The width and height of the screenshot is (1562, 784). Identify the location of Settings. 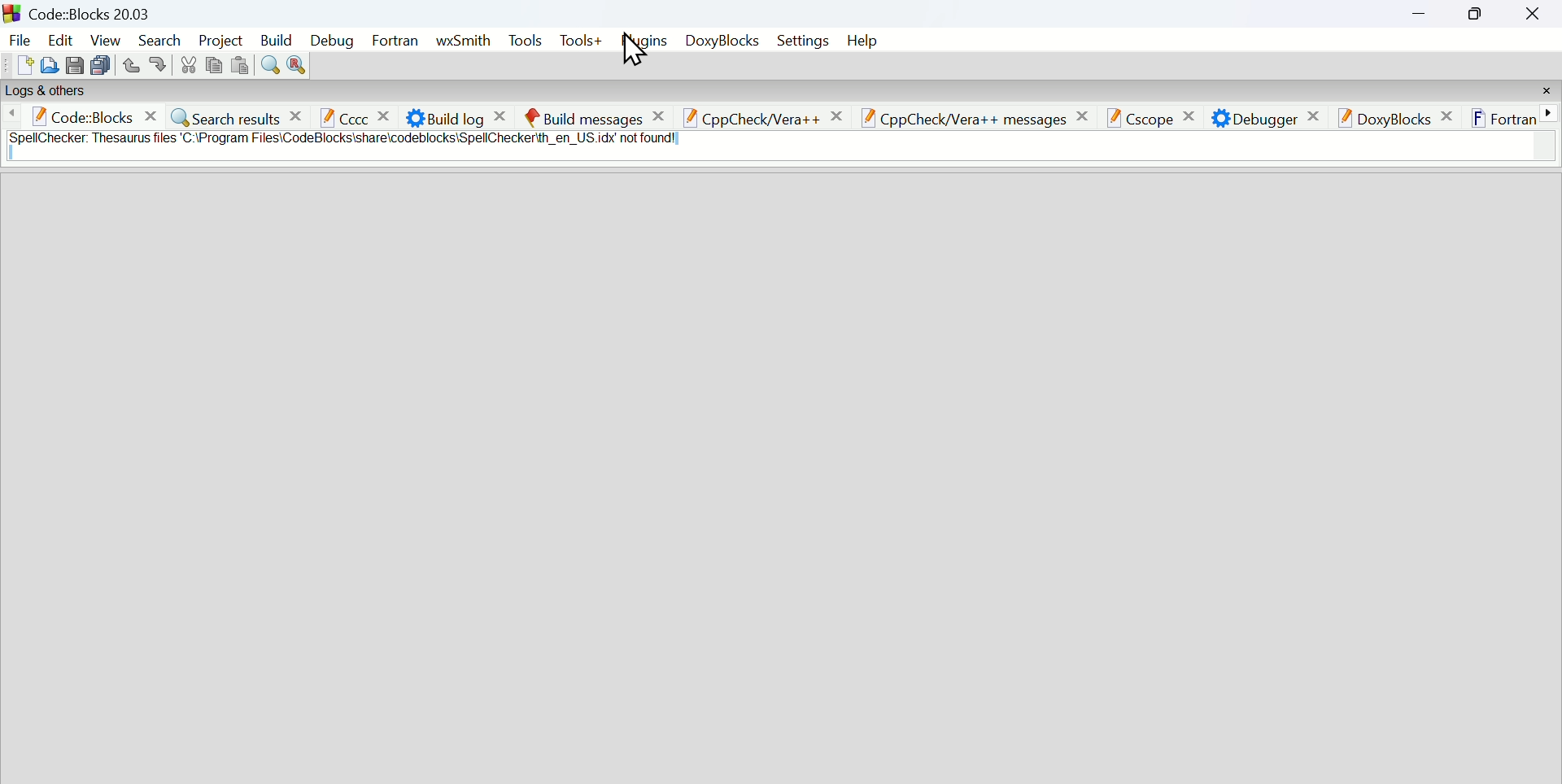
(802, 40).